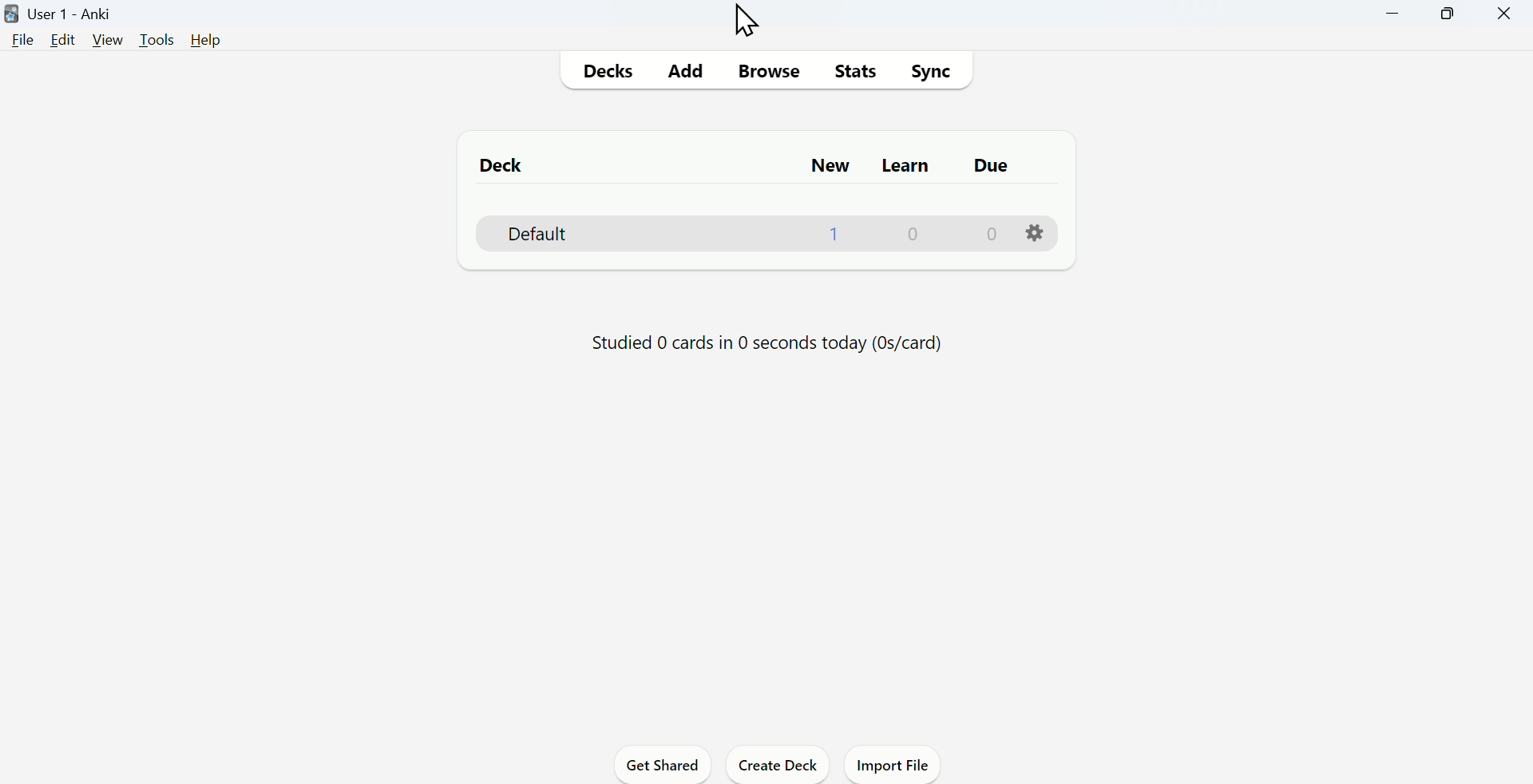  Describe the element at coordinates (987, 166) in the screenshot. I see `Due` at that location.